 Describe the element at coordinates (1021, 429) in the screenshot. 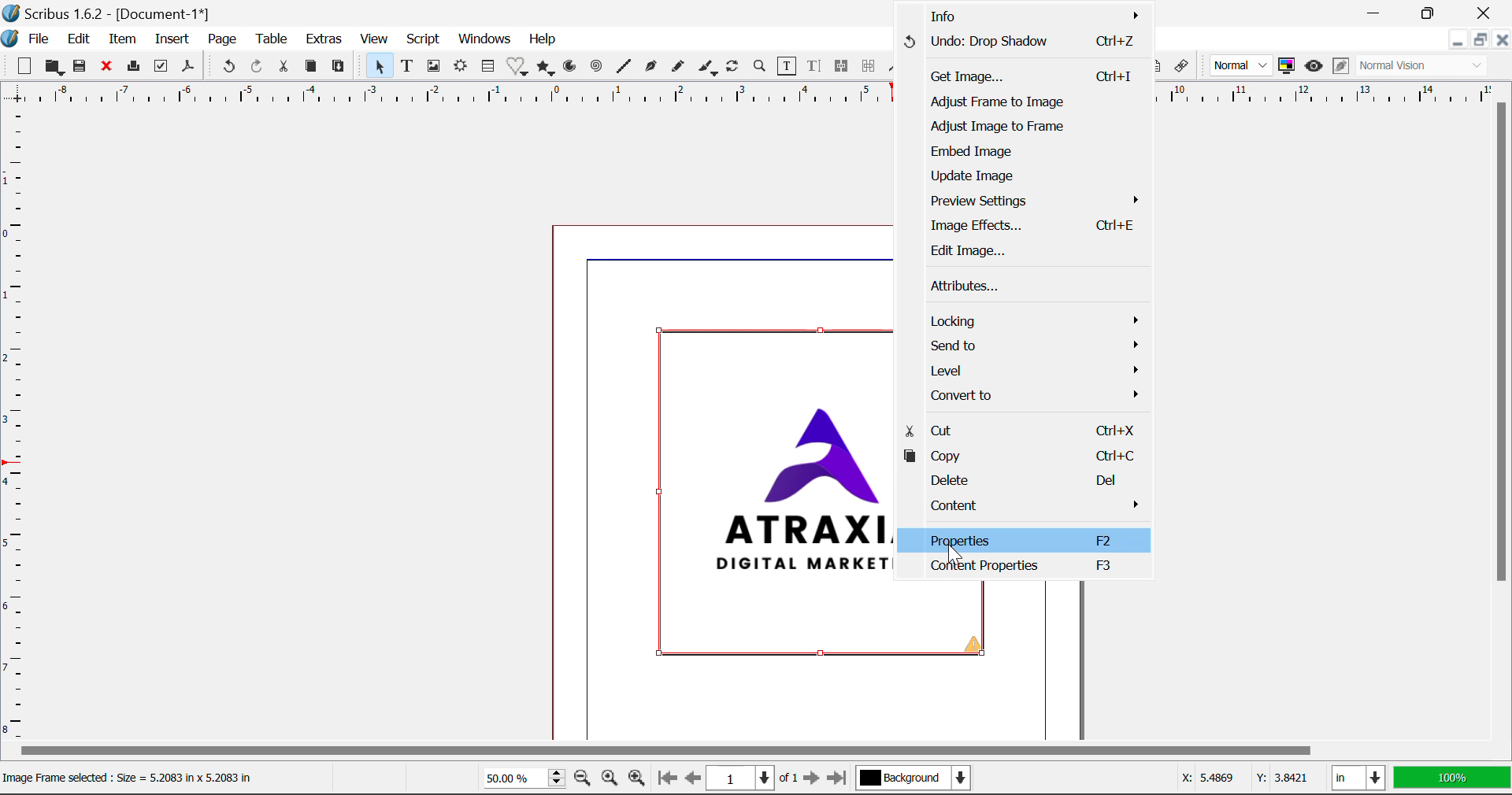

I see `Cut` at that location.